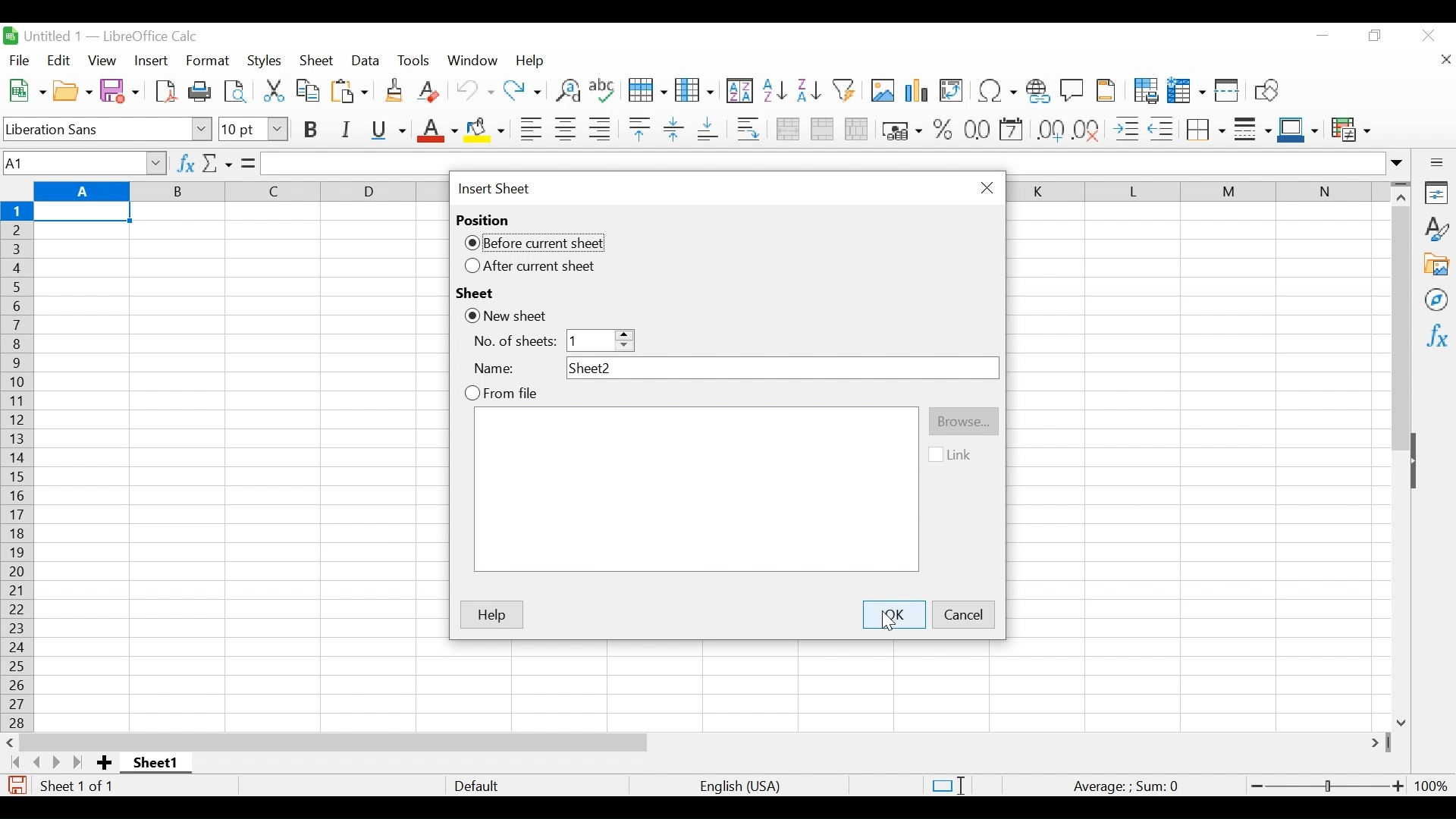 The height and width of the screenshot is (819, 1456). What do you see at coordinates (1298, 130) in the screenshot?
I see `Border Color` at bounding box center [1298, 130].